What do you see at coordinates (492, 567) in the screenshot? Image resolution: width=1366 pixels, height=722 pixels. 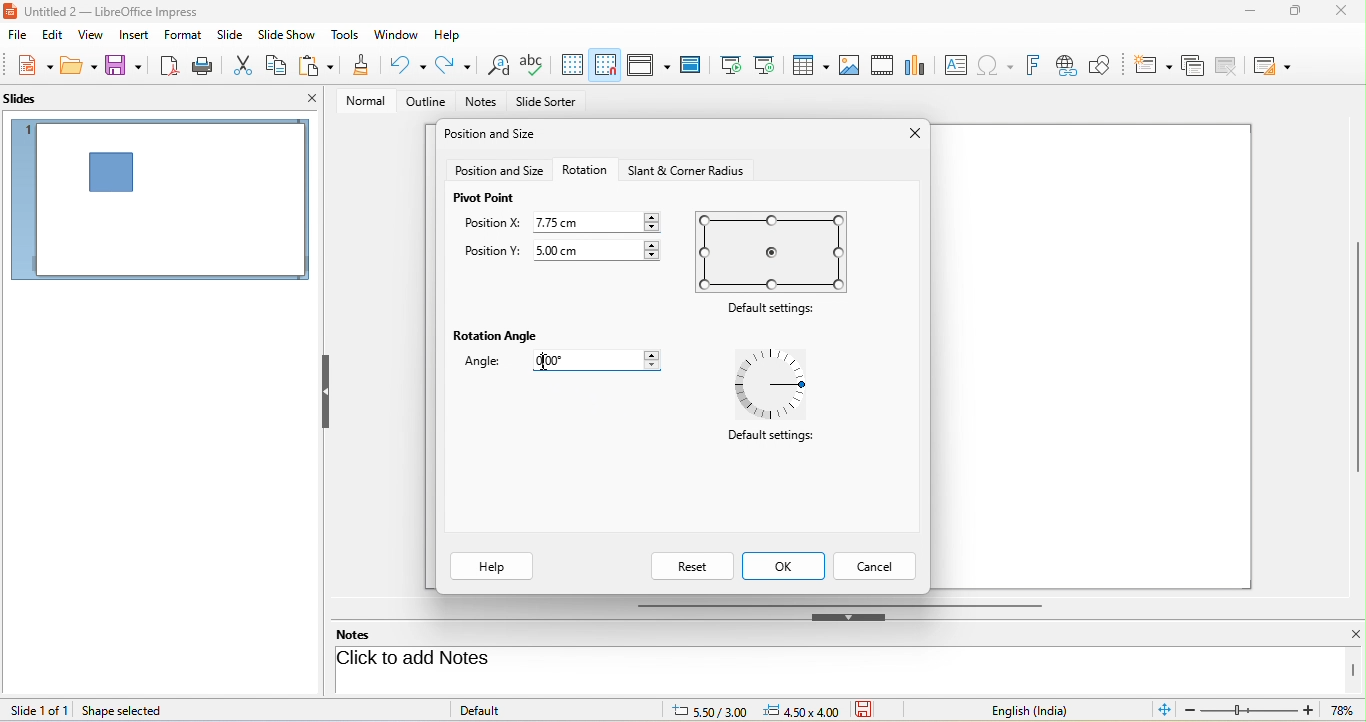 I see `help` at bounding box center [492, 567].